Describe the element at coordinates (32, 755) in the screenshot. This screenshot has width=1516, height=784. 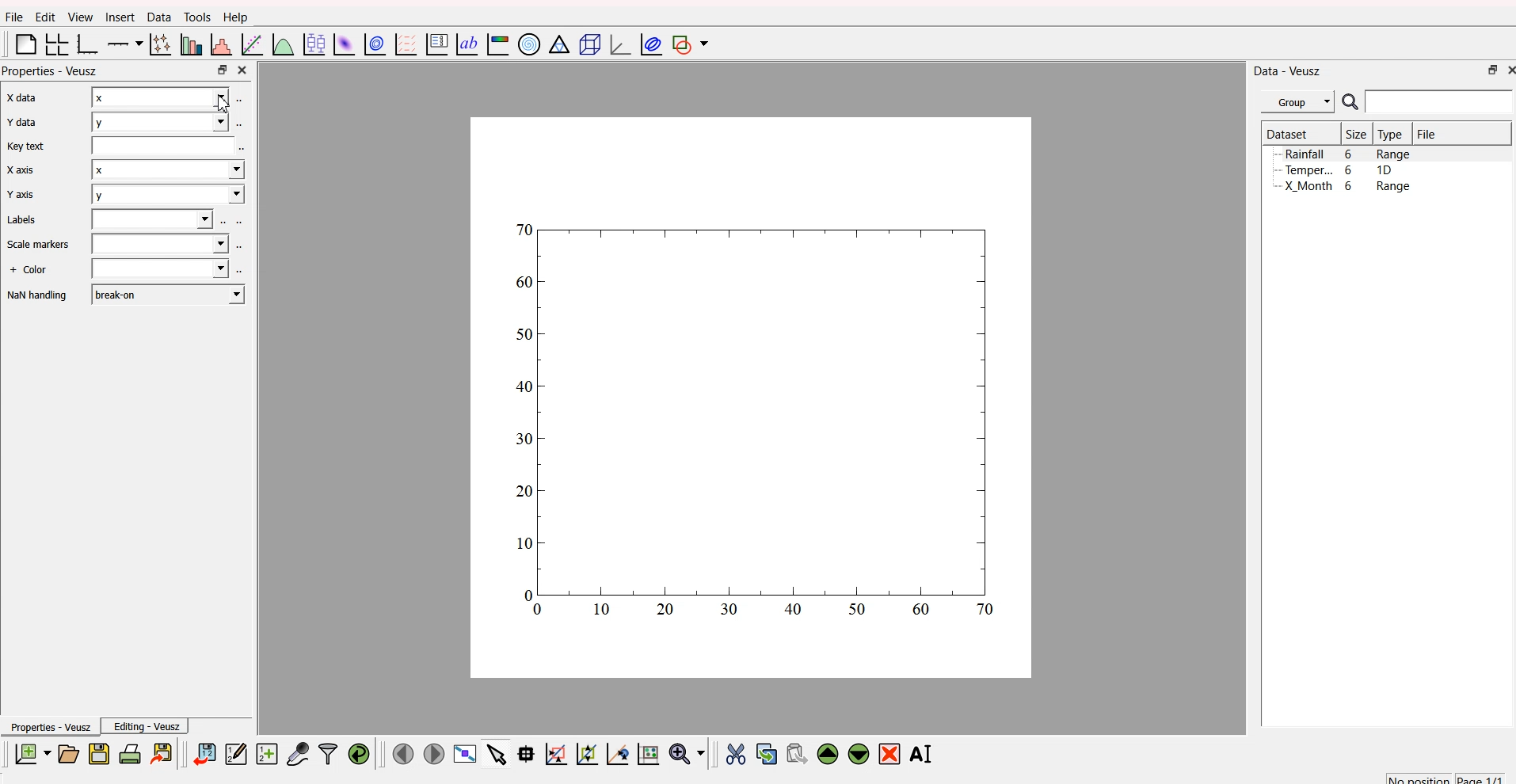
I see `new document` at that location.